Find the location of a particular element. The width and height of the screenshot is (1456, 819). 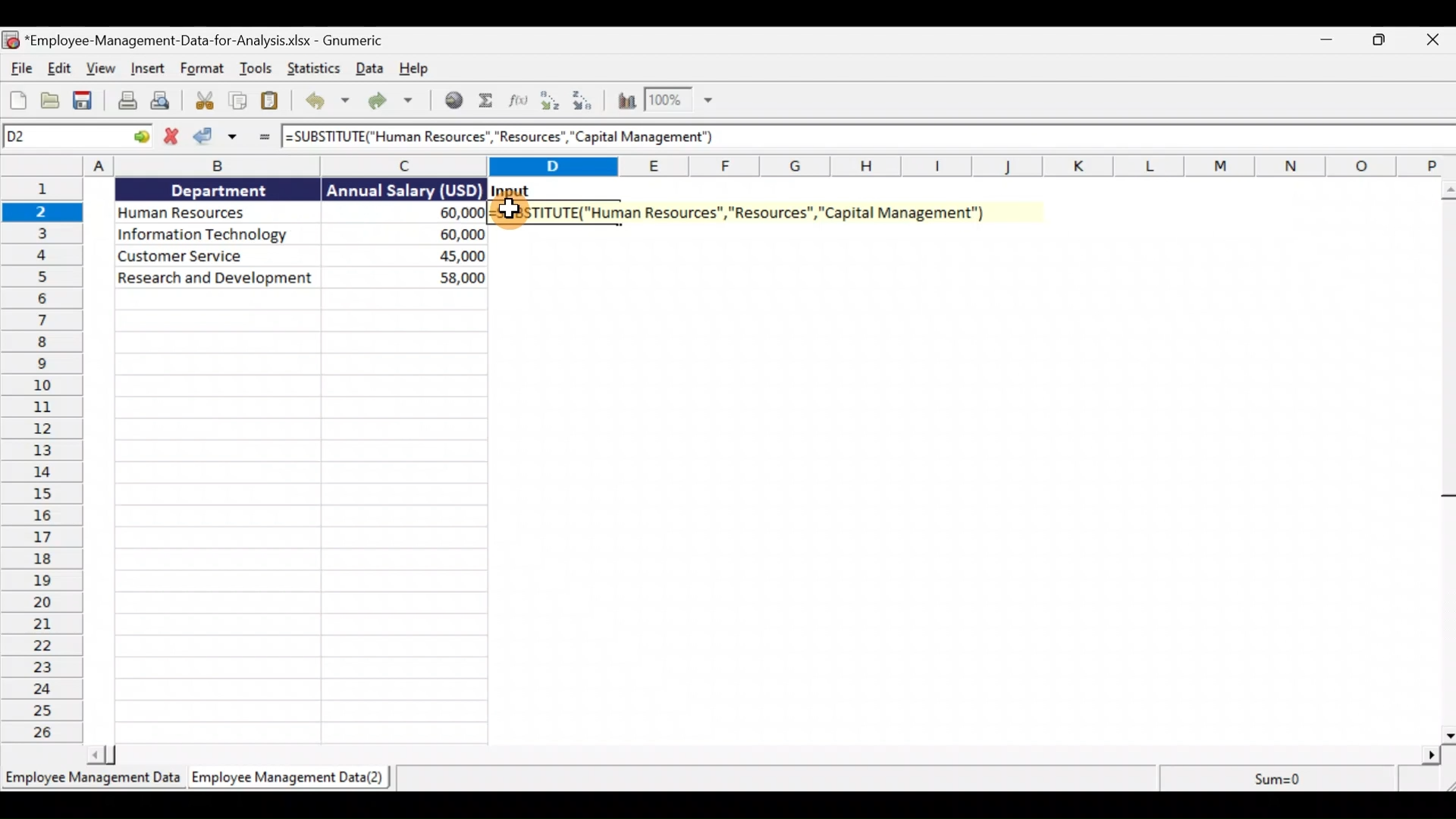

Open a file is located at coordinates (47, 100).